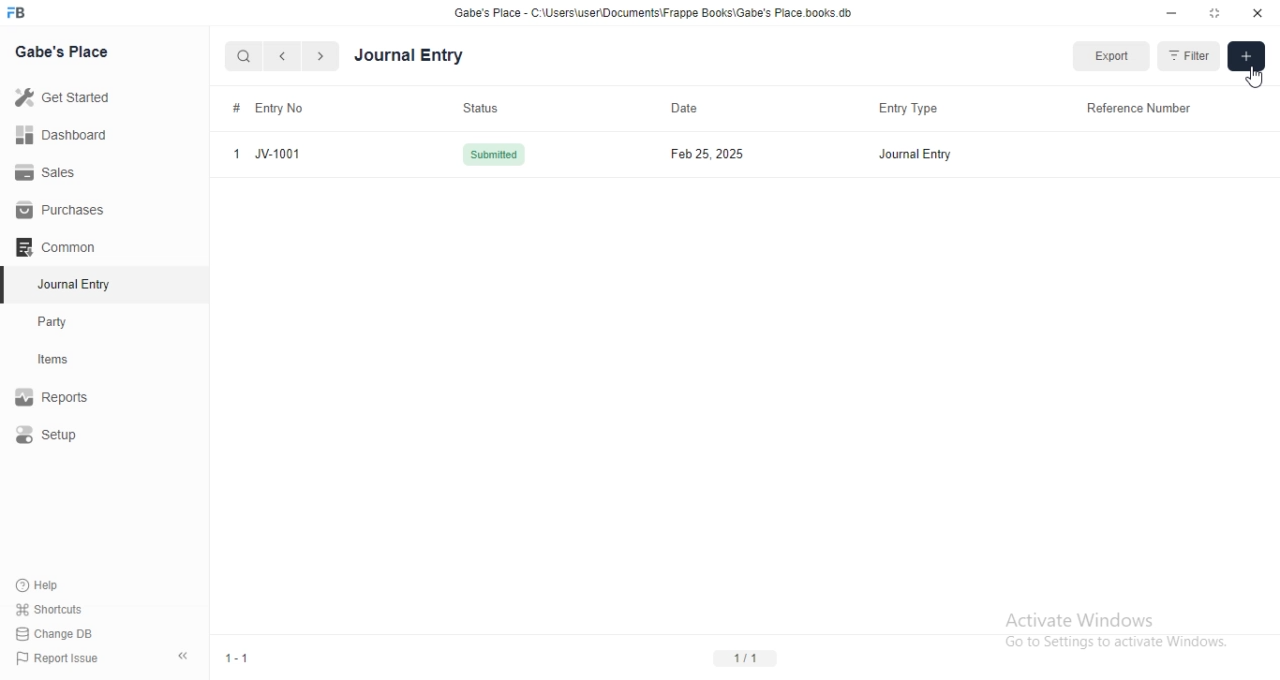 The height and width of the screenshot is (680, 1280). What do you see at coordinates (410, 57) in the screenshot?
I see `Journal Entry` at bounding box center [410, 57].